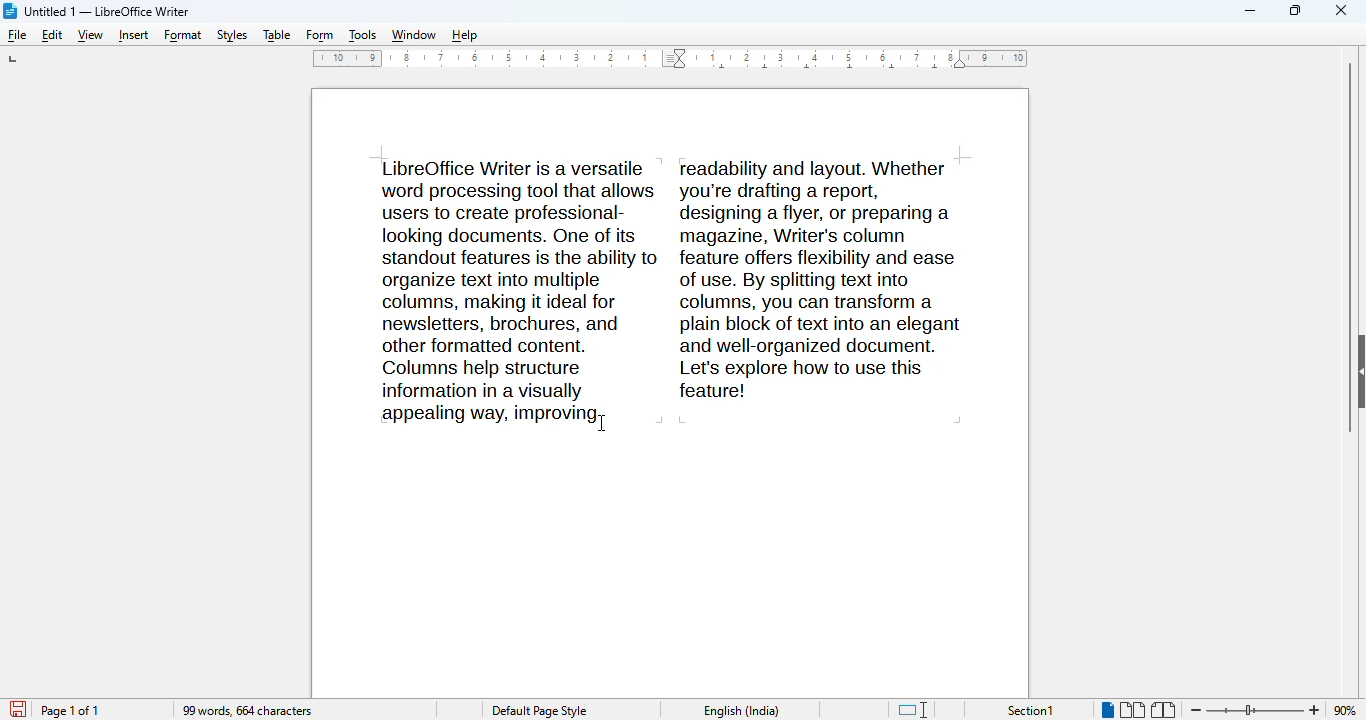 The width and height of the screenshot is (1366, 720). Describe the element at coordinates (805, 68) in the screenshot. I see `center tab` at that location.